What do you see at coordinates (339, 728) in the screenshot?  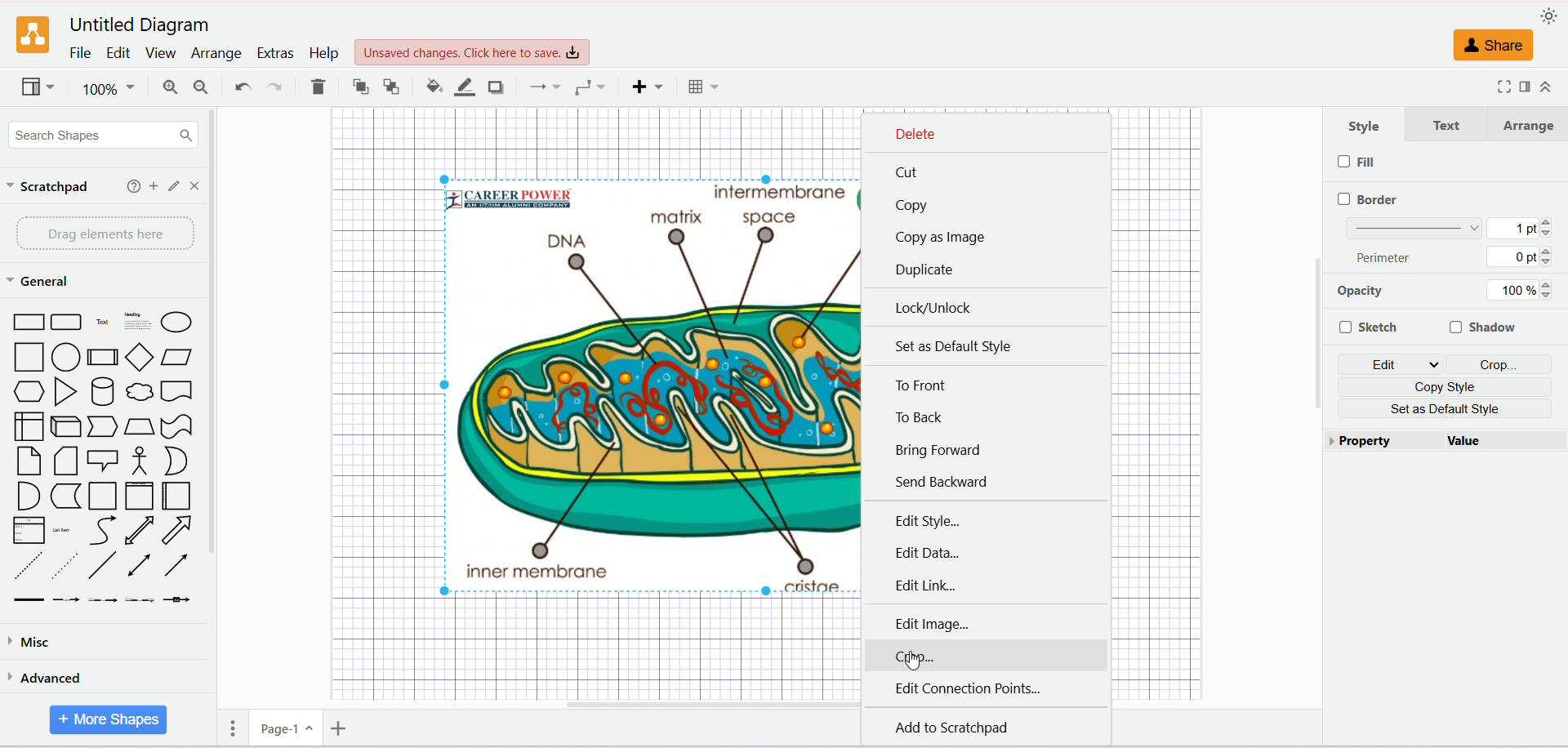 I see `insert page` at bounding box center [339, 728].